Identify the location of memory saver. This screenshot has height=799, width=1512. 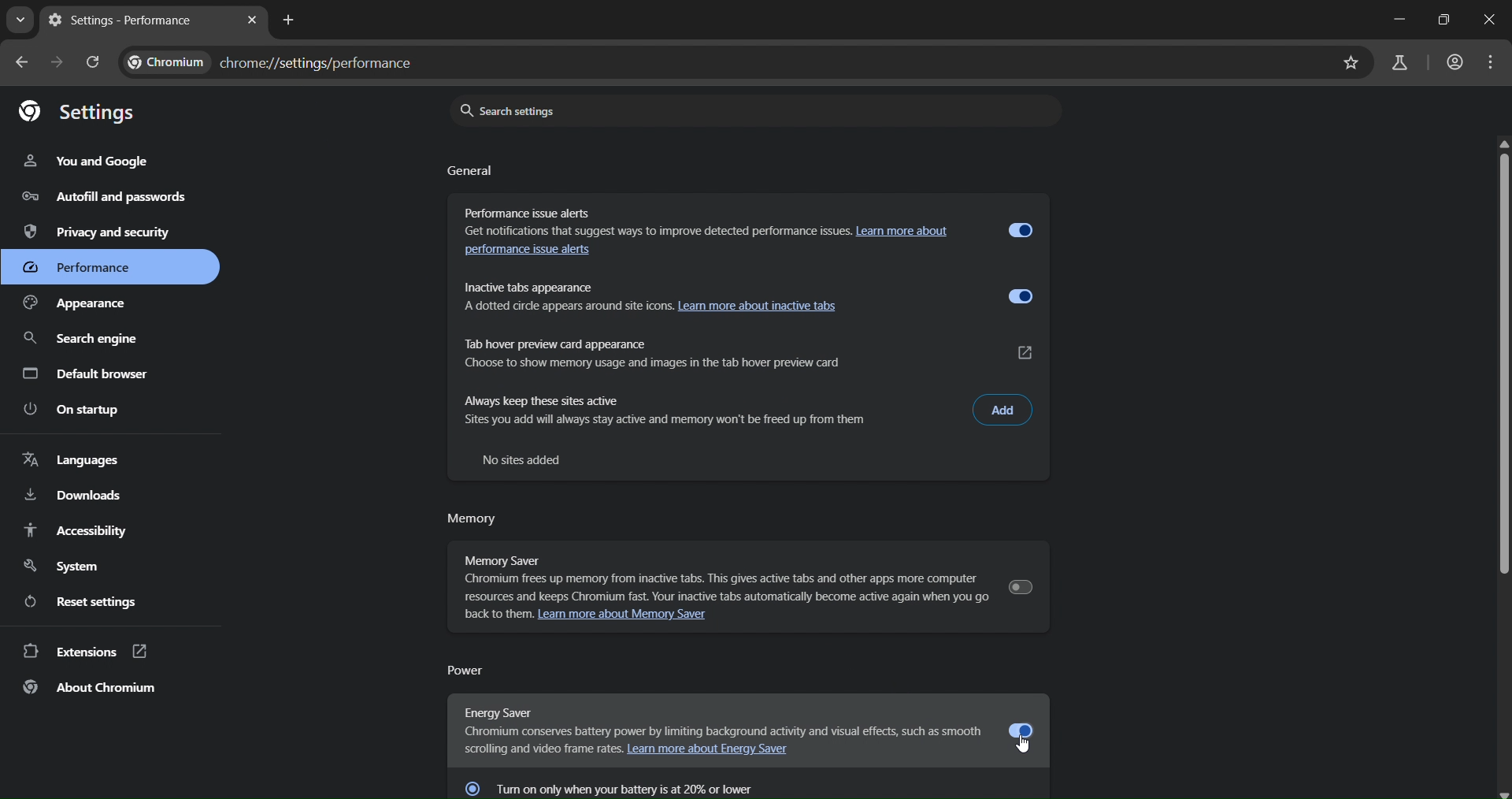
(715, 573).